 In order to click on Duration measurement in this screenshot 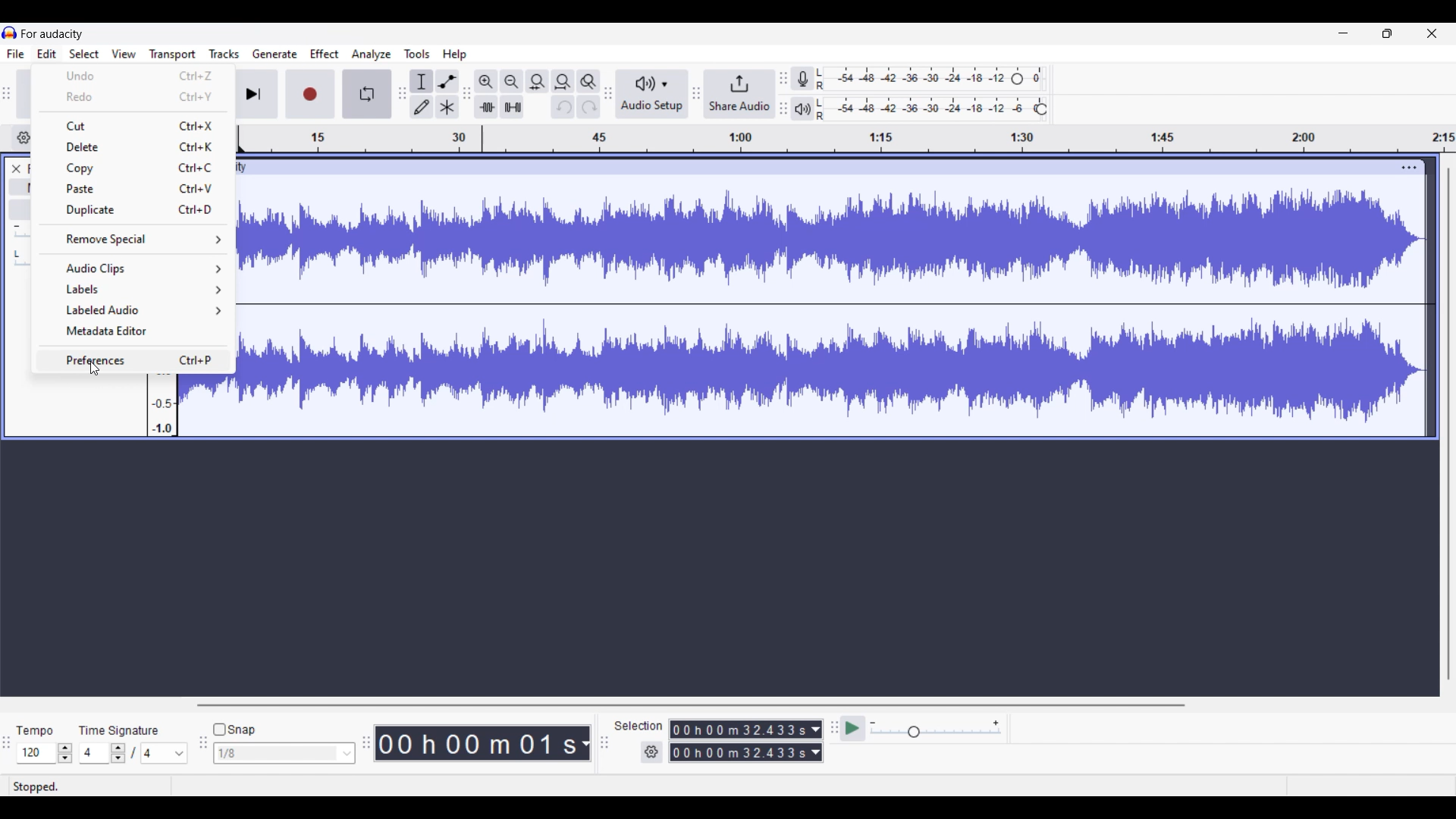, I will do `click(816, 742)`.